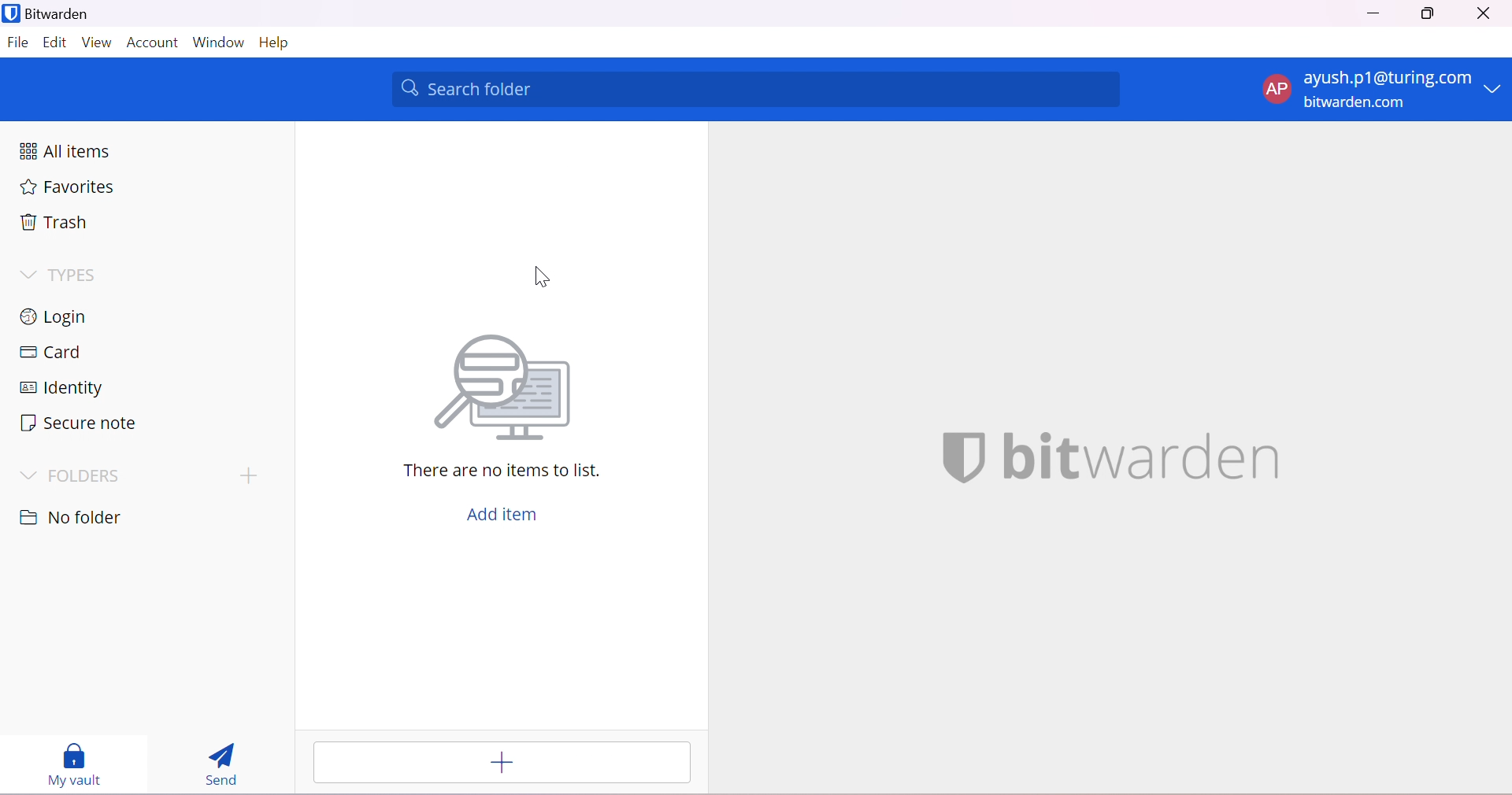 This screenshot has height=795, width=1512. I want to click on Edit, so click(54, 44).